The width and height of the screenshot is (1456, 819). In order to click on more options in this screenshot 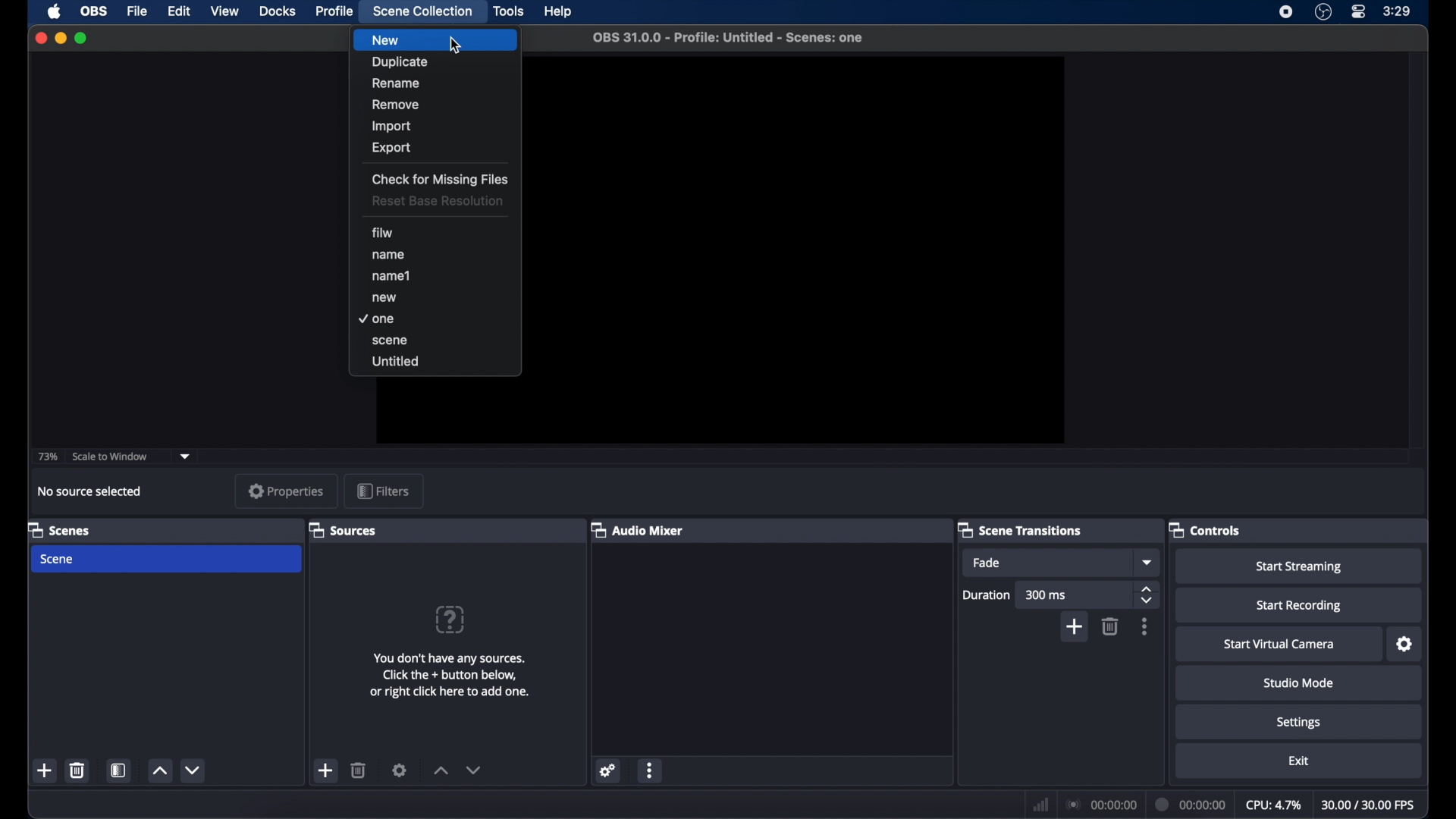, I will do `click(651, 770)`.